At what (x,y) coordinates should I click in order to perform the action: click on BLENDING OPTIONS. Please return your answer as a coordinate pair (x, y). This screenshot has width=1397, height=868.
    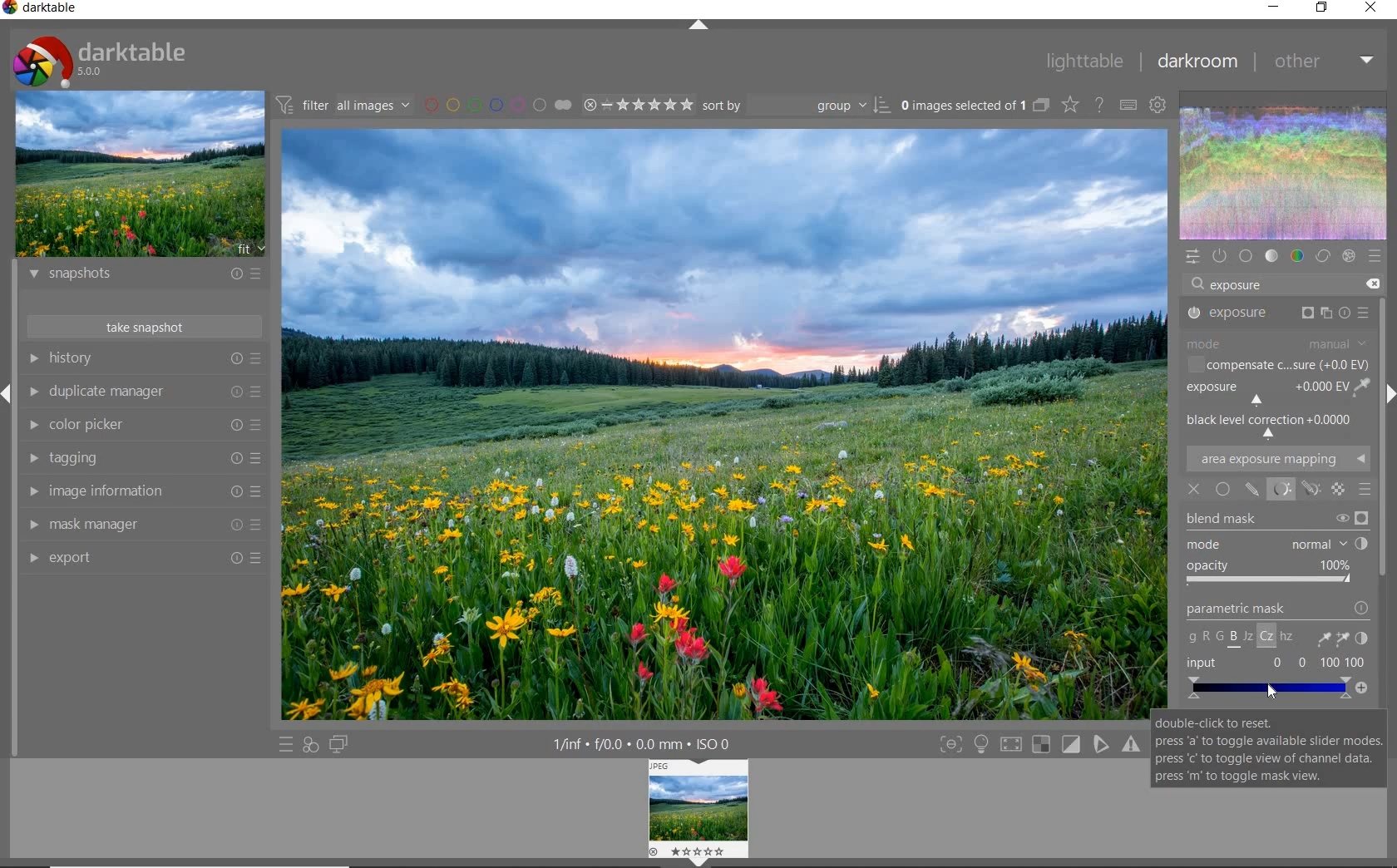
    Looking at the image, I should click on (1365, 491).